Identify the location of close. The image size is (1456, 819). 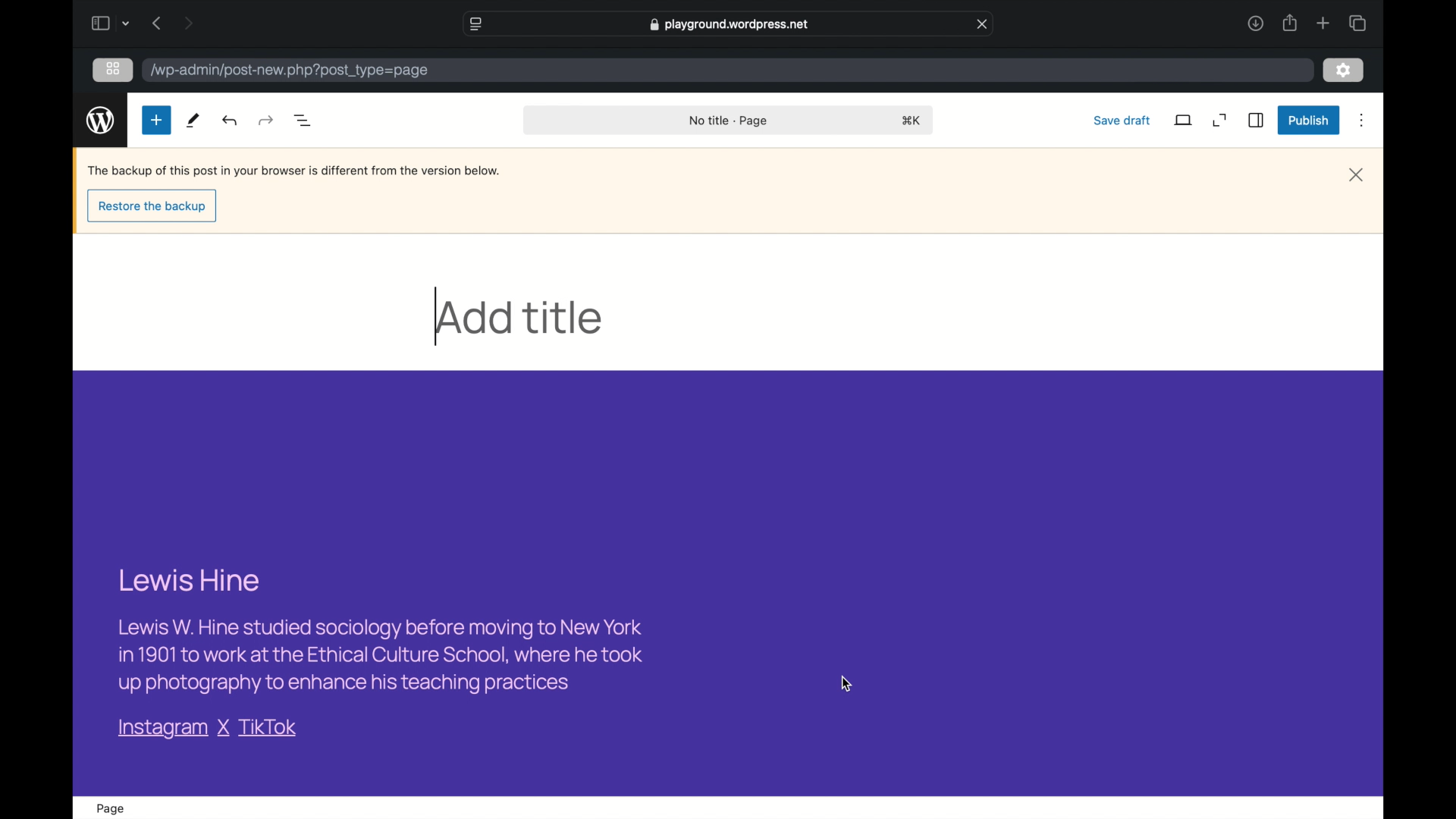
(983, 24).